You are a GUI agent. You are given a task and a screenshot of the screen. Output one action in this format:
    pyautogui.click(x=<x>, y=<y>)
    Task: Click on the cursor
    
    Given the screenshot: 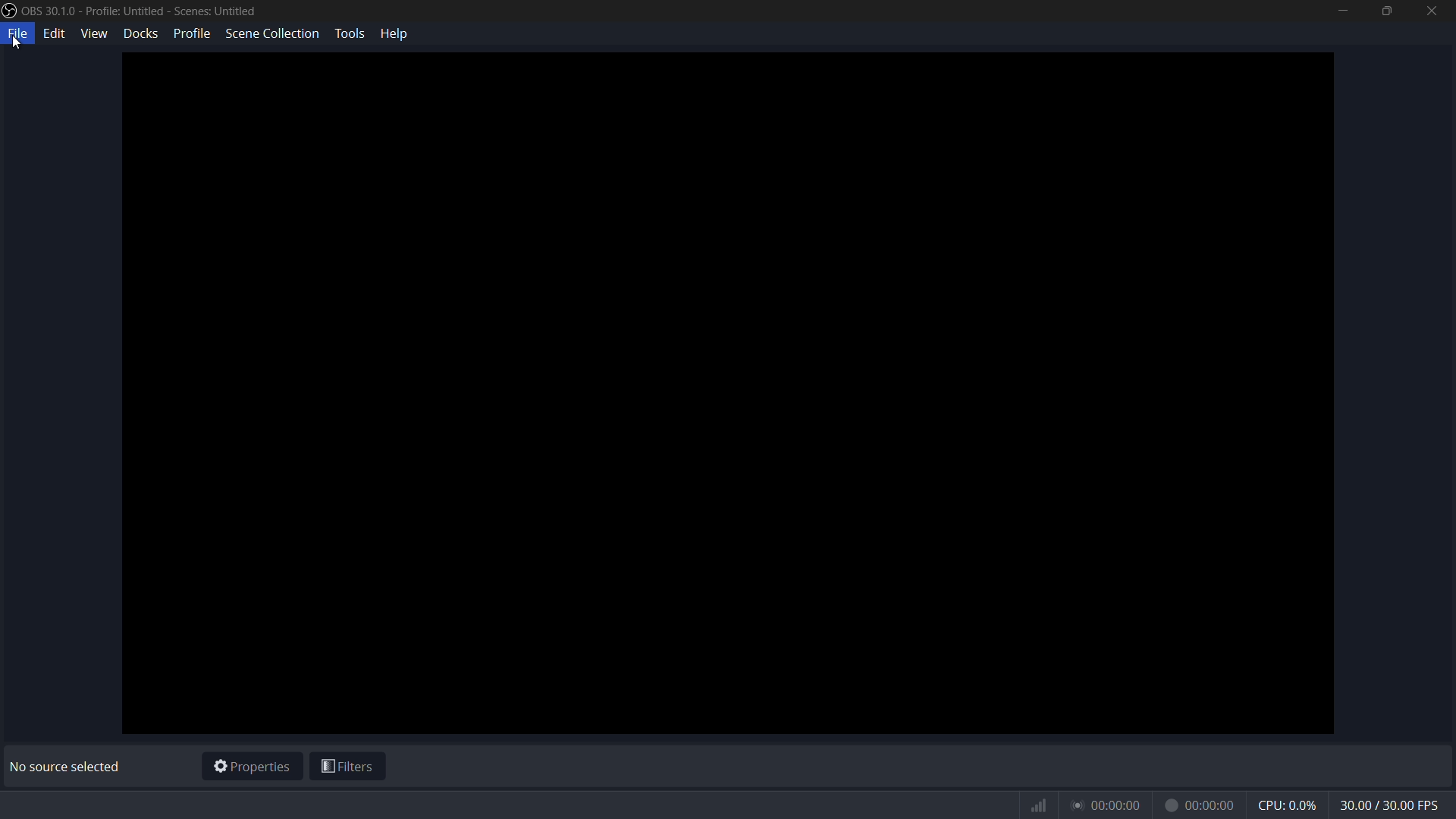 What is the action you would take?
    pyautogui.click(x=17, y=49)
    